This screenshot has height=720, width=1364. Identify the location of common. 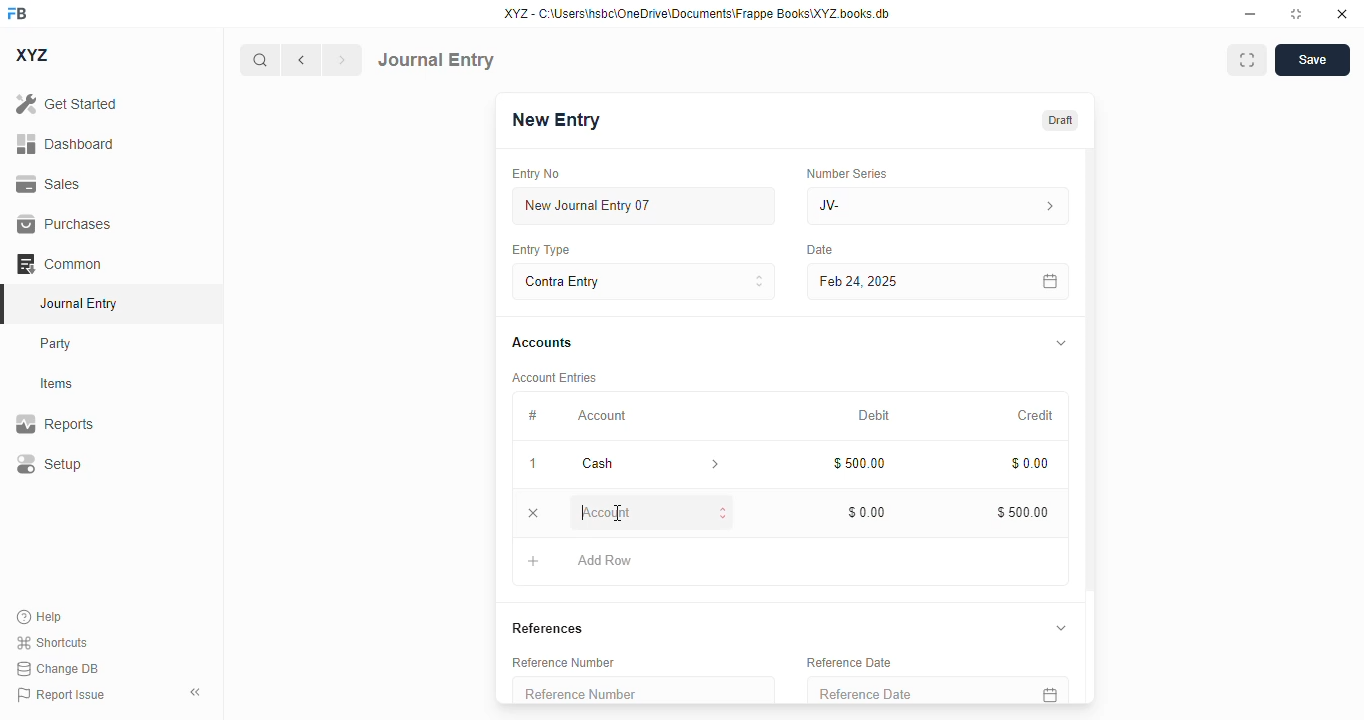
(59, 263).